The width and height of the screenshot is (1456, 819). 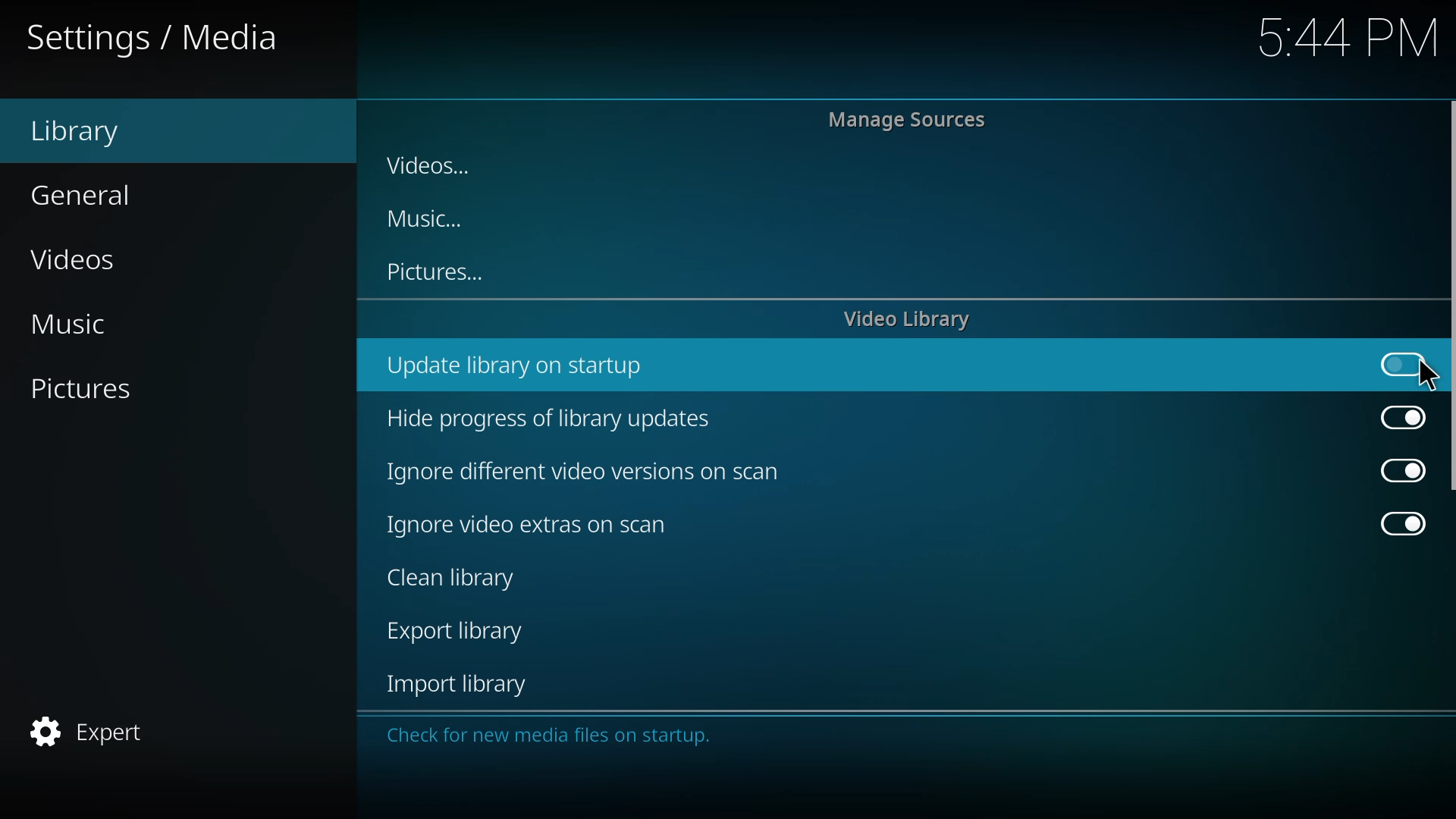 What do you see at coordinates (1398, 469) in the screenshot?
I see `enabled` at bounding box center [1398, 469].